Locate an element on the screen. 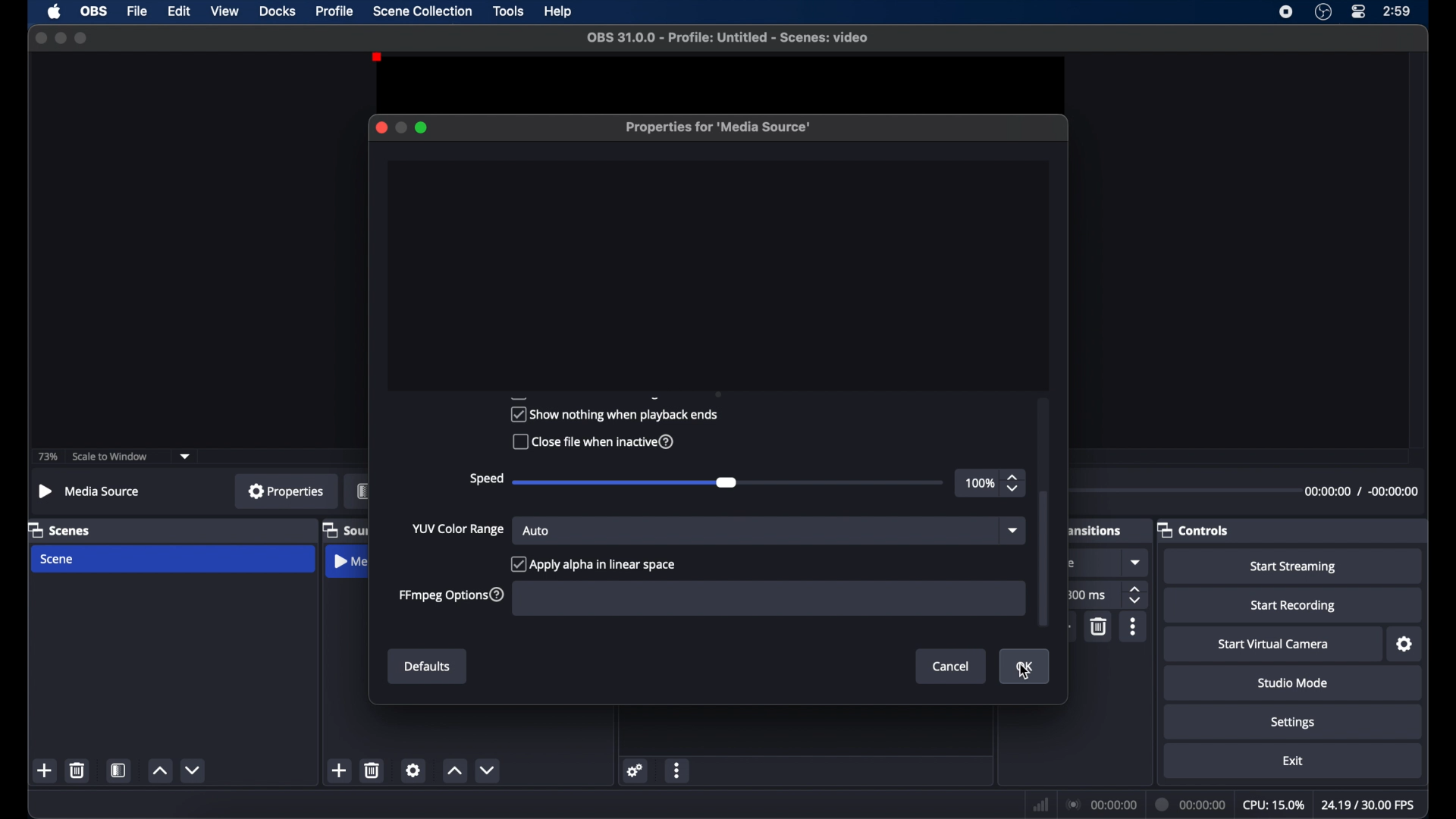  exit is located at coordinates (1294, 761).